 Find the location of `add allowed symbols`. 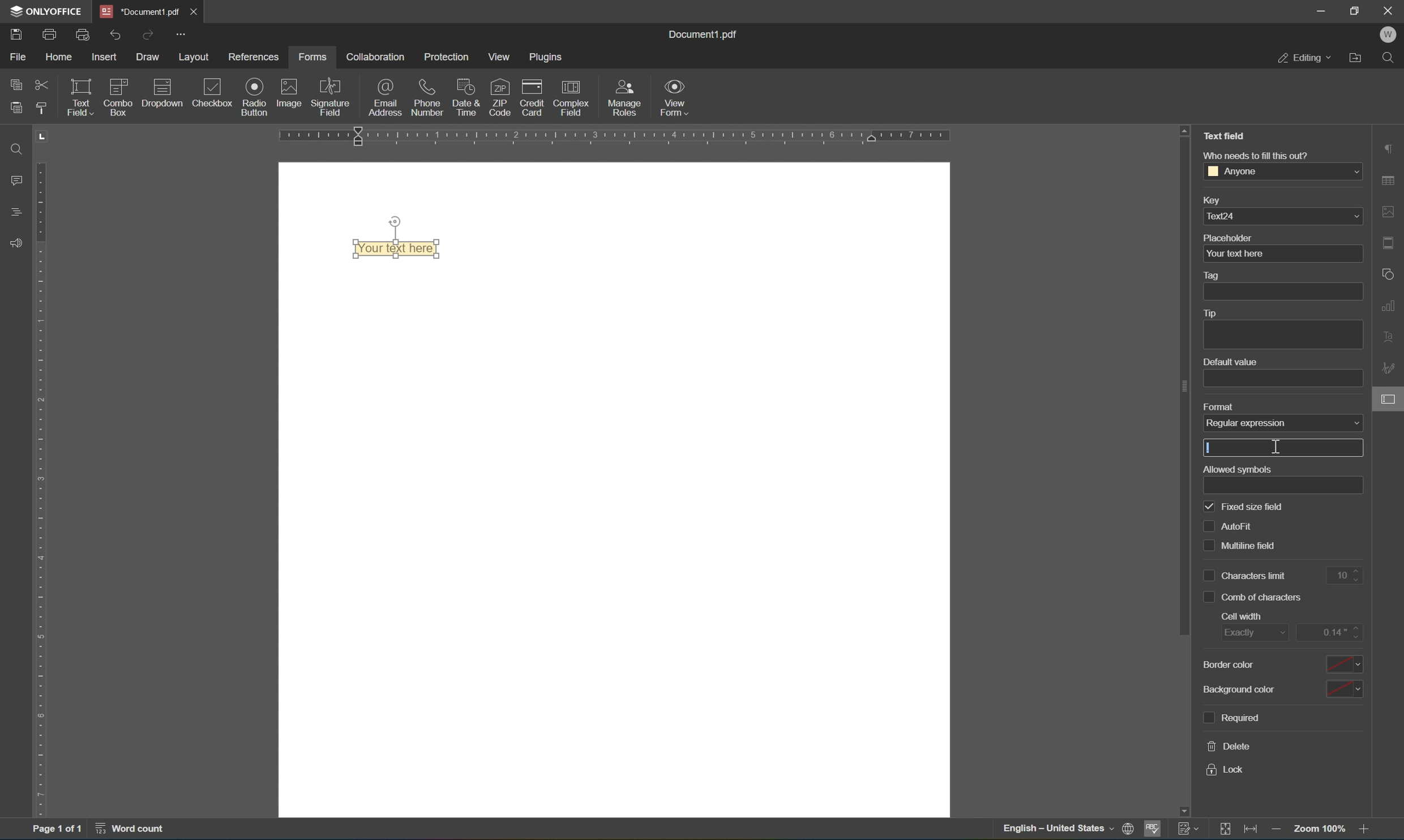

add allowed symbols is located at coordinates (1285, 486).